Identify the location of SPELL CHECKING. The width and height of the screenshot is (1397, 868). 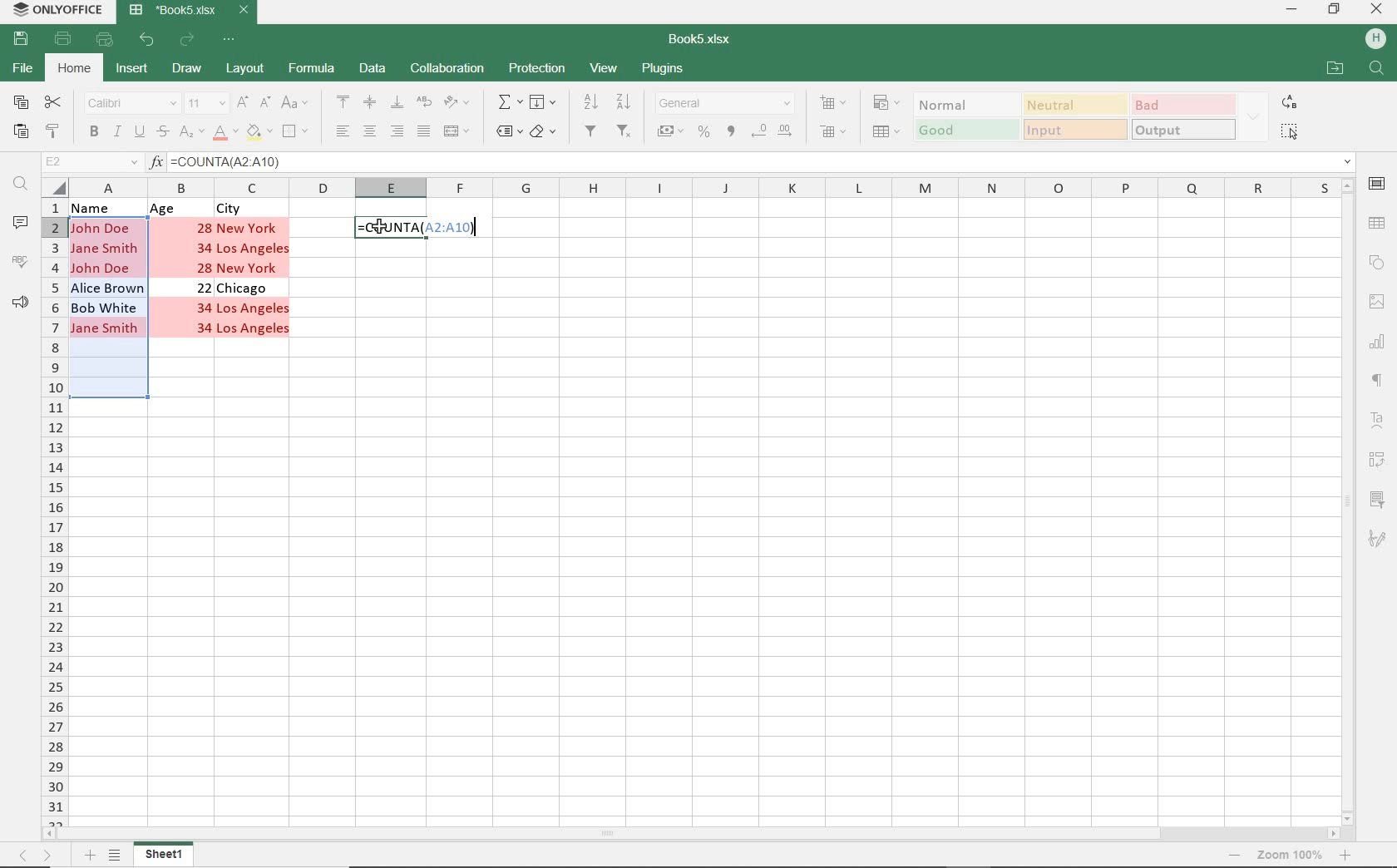
(24, 260).